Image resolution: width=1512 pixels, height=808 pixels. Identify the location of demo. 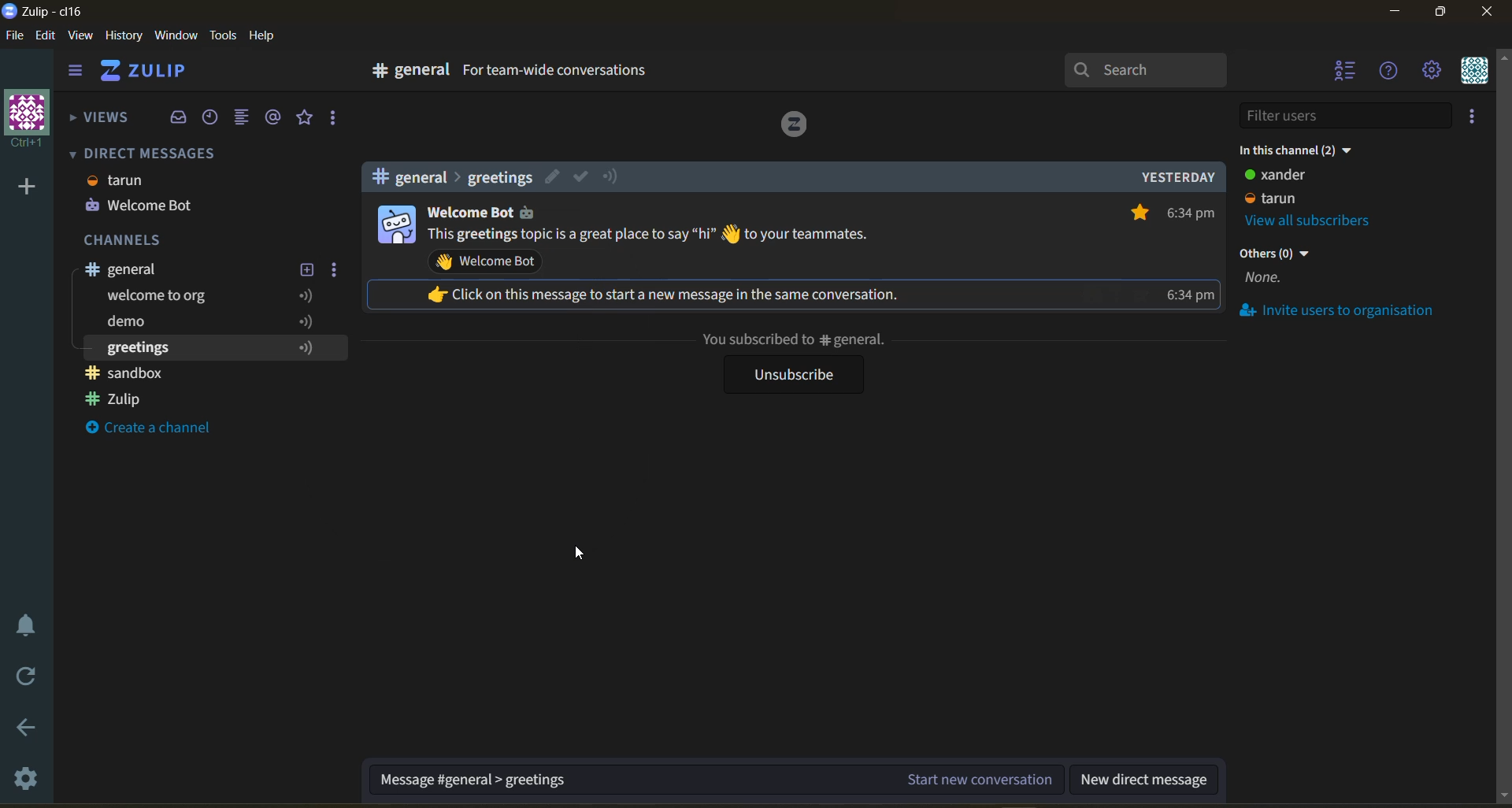
(142, 325).